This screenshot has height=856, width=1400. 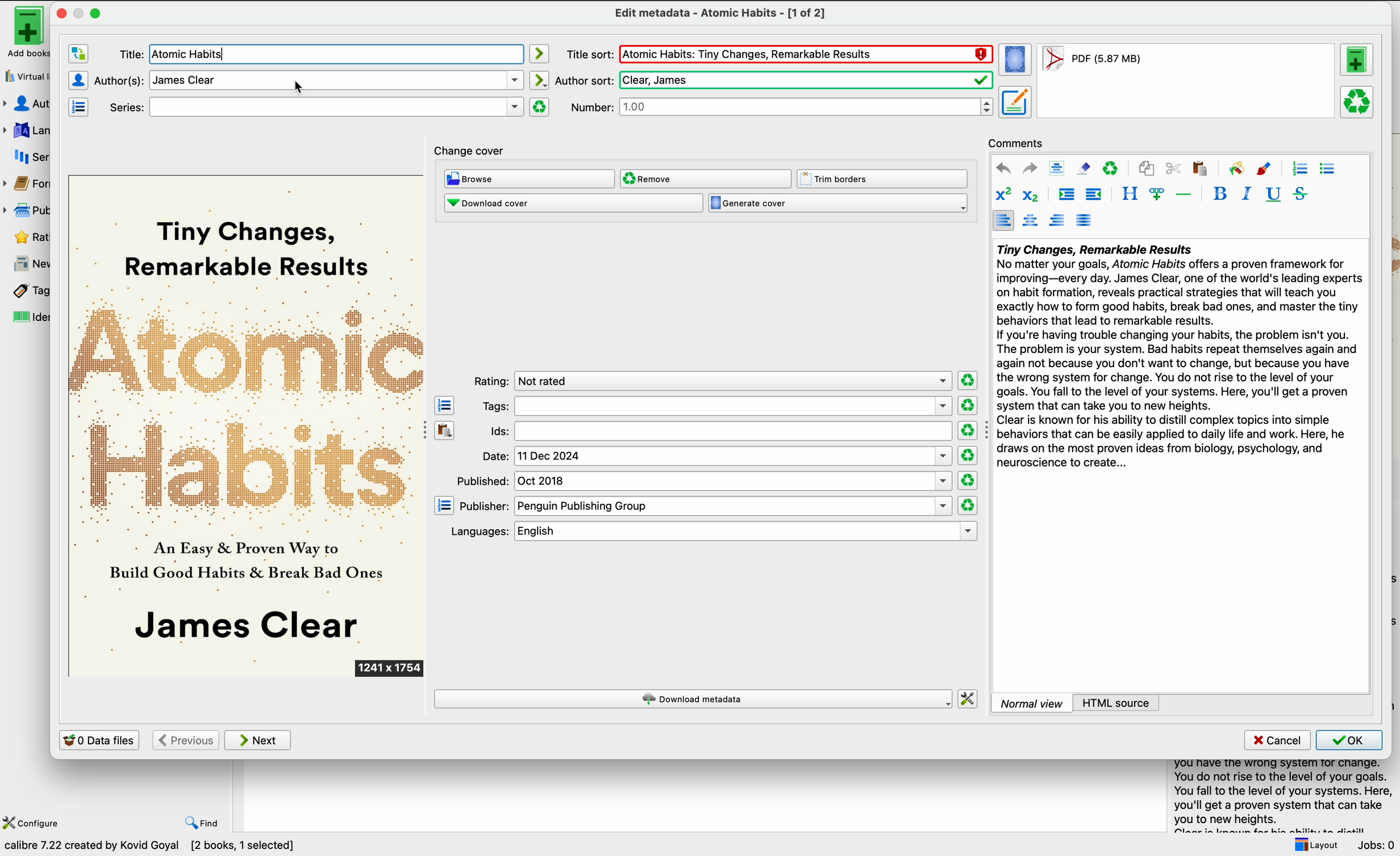 I want to click on OK button, so click(x=1349, y=740).